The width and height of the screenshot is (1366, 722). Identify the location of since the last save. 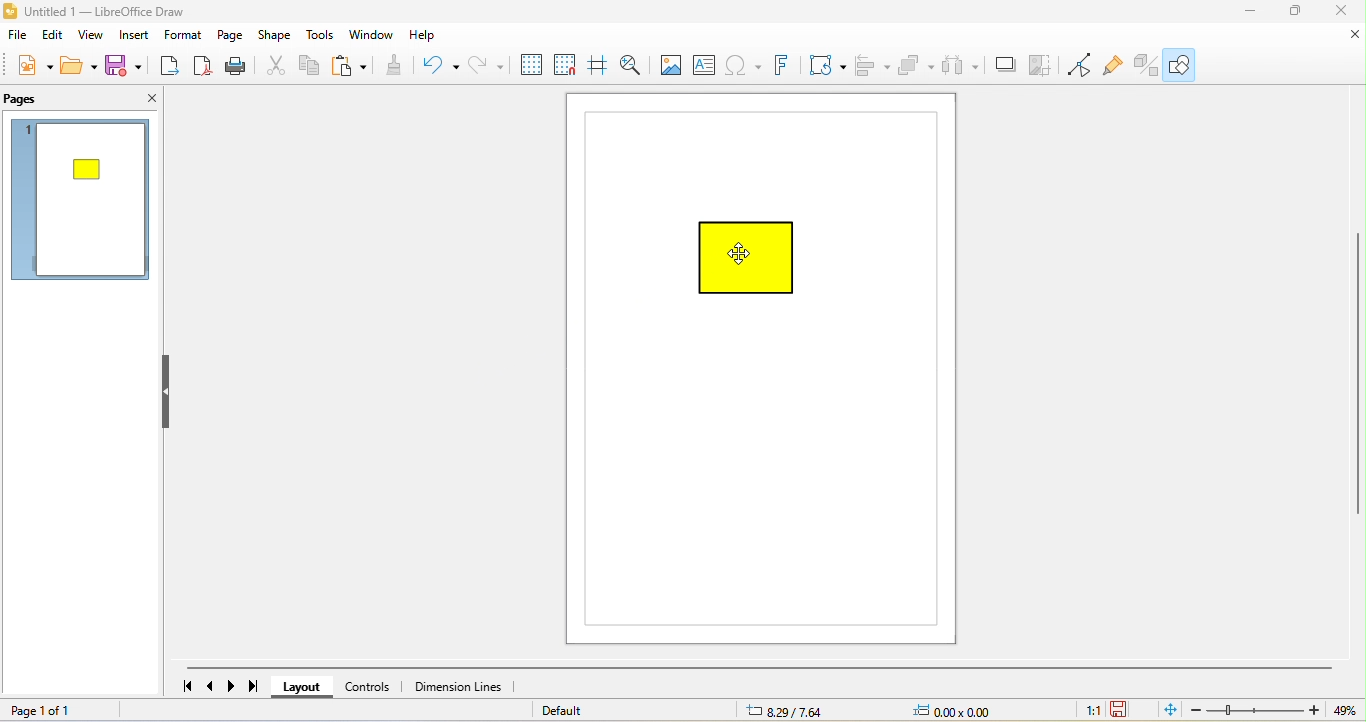
(1123, 710).